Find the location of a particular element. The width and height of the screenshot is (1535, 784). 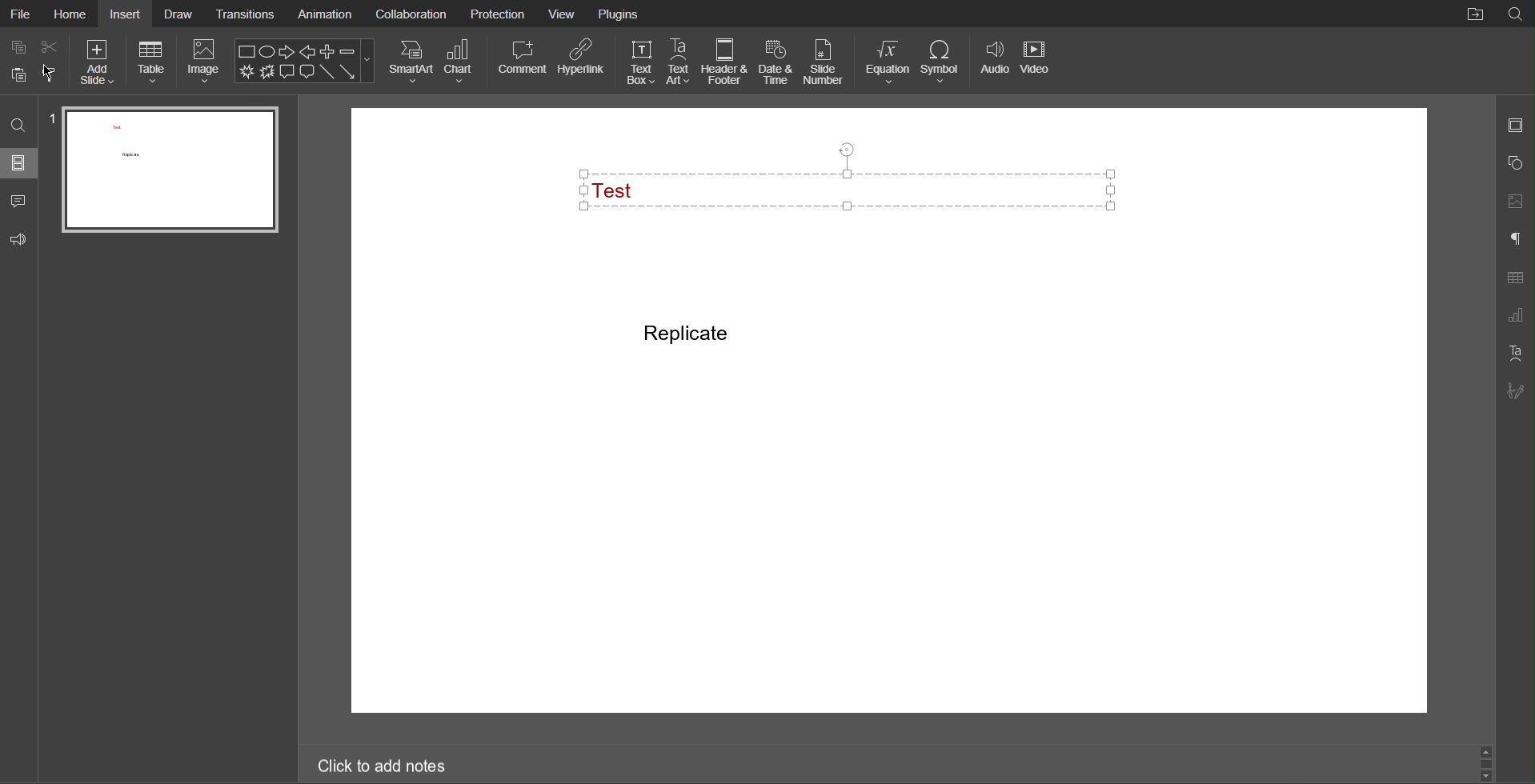

Symbol is located at coordinates (943, 62).